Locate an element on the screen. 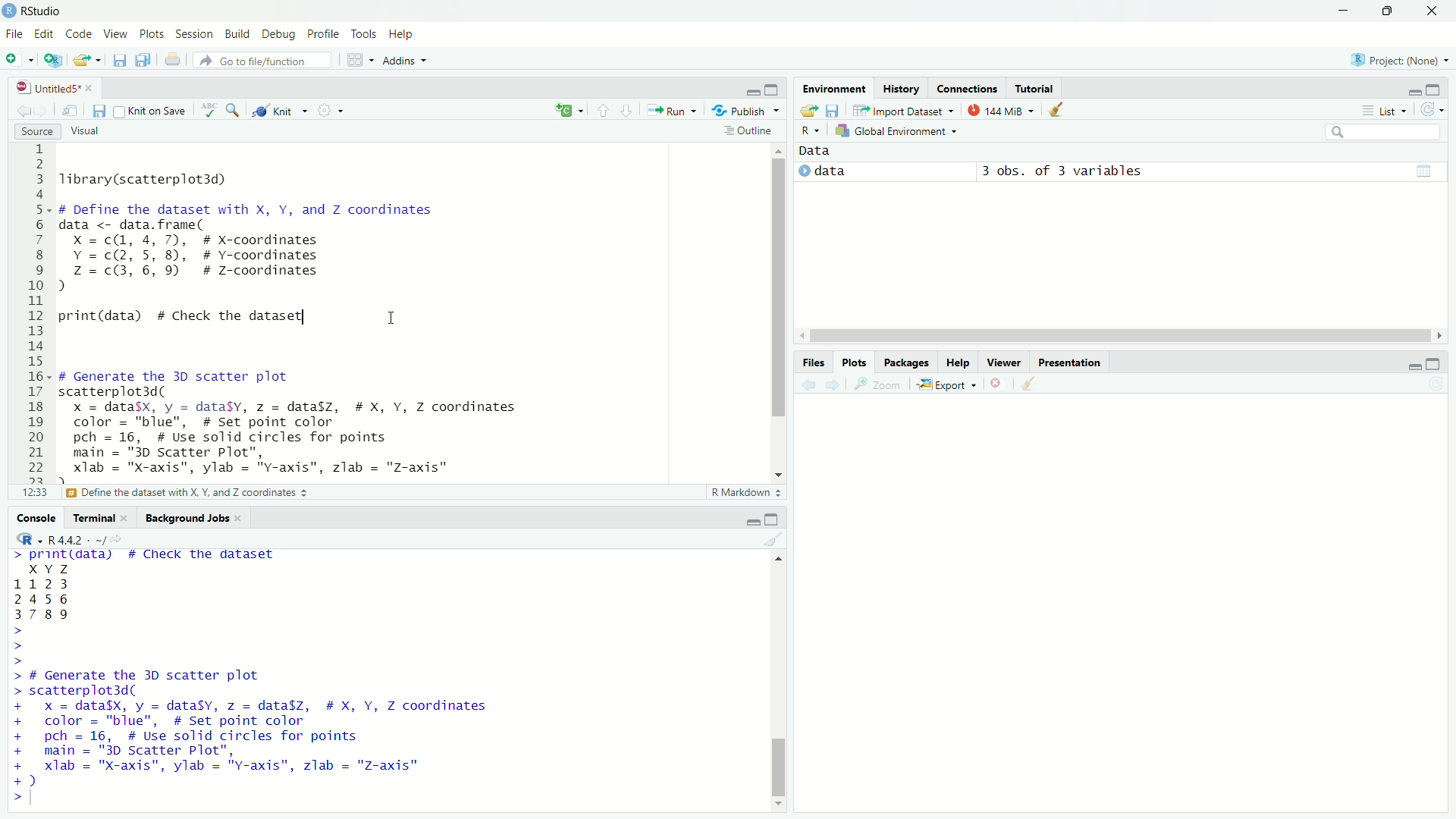 This screenshot has height=819, width=1456. maximize is located at coordinates (1441, 361).